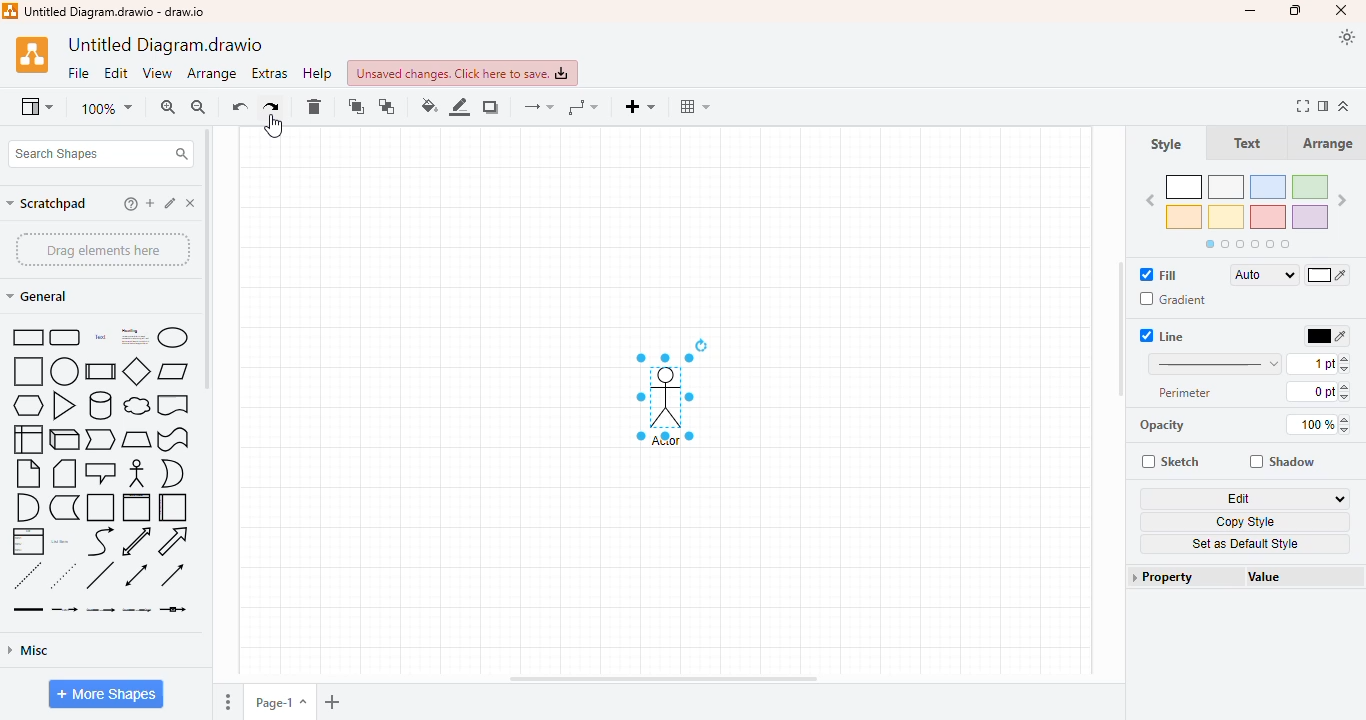 The image size is (1366, 720). Describe the element at coordinates (37, 108) in the screenshot. I see `view` at that location.